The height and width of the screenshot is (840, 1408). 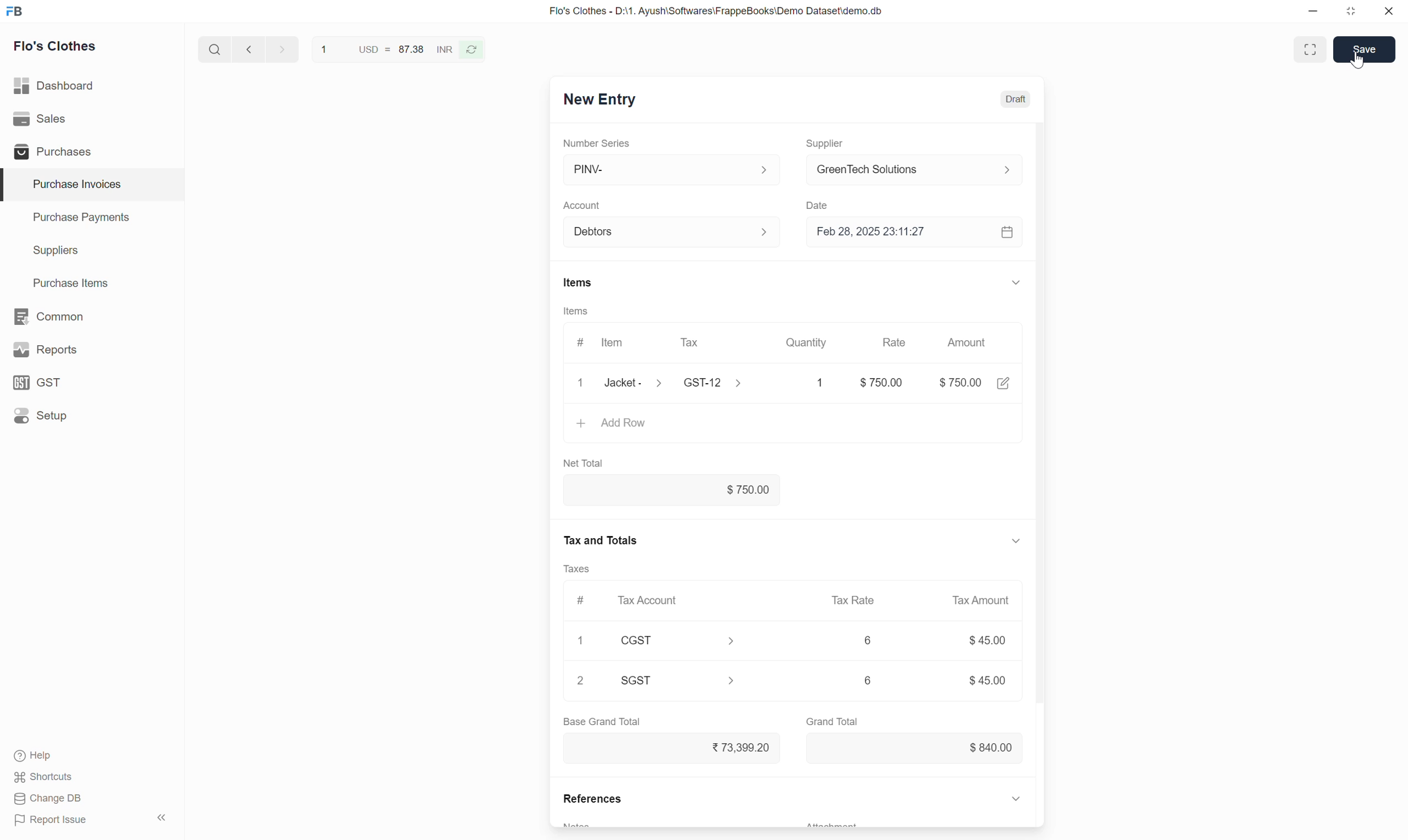 What do you see at coordinates (1389, 11) in the screenshot?
I see `Close` at bounding box center [1389, 11].